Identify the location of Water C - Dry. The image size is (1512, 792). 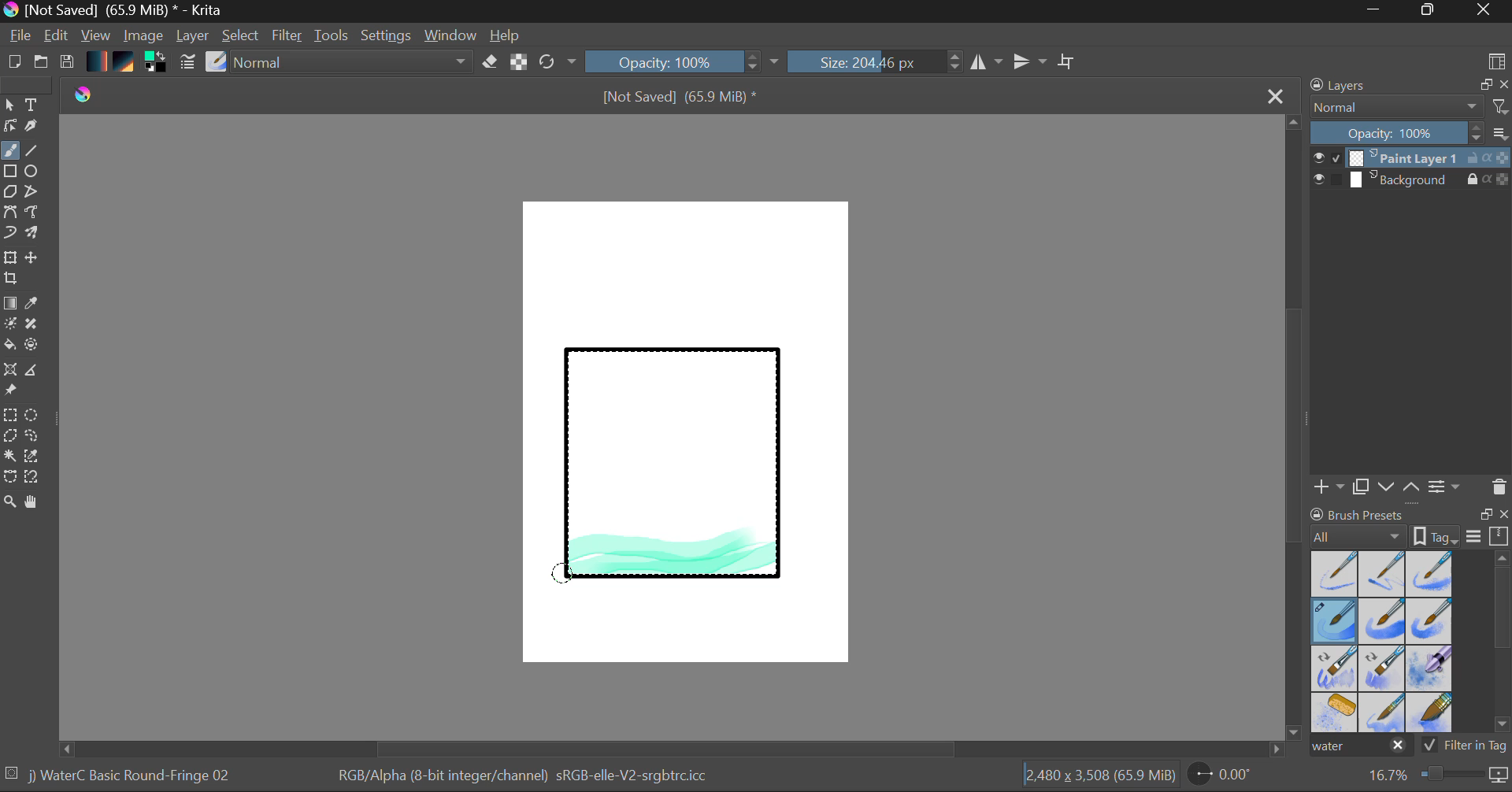
(1336, 572).